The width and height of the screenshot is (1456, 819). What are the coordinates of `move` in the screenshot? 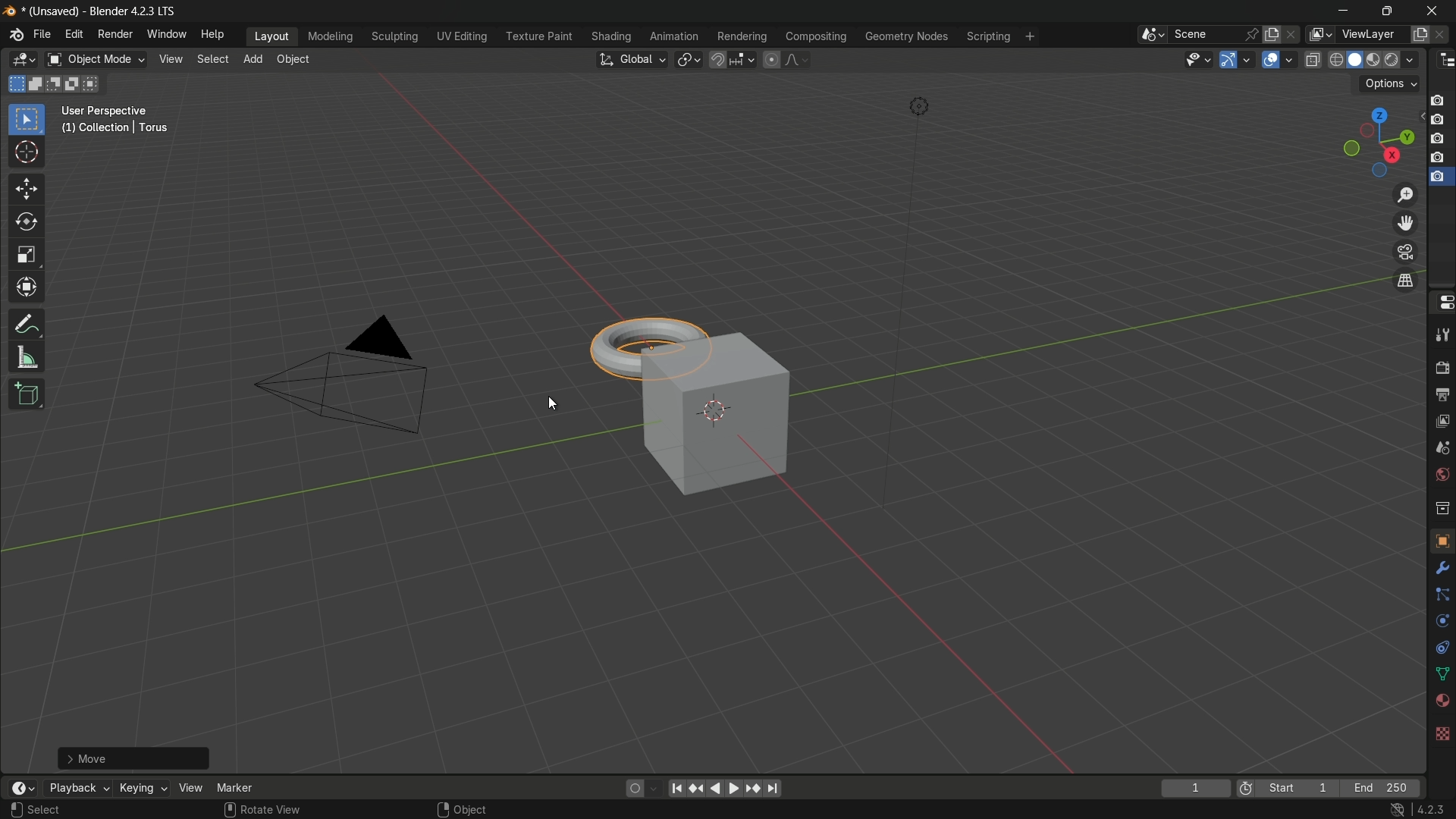 It's located at (27, 190).